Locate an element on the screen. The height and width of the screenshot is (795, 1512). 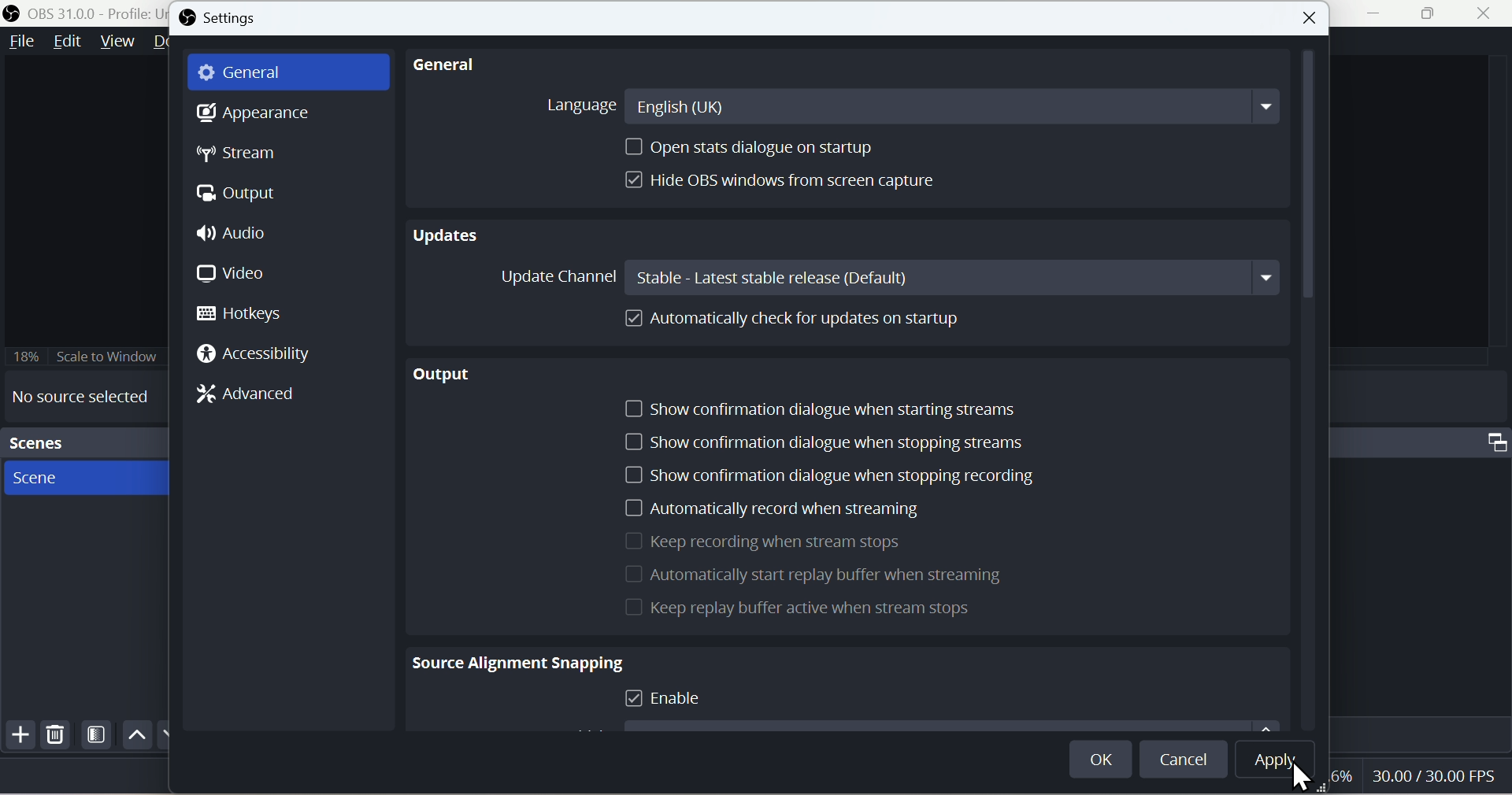
Automatically cheque up for updates on startup is located at coordinates (790, 326).